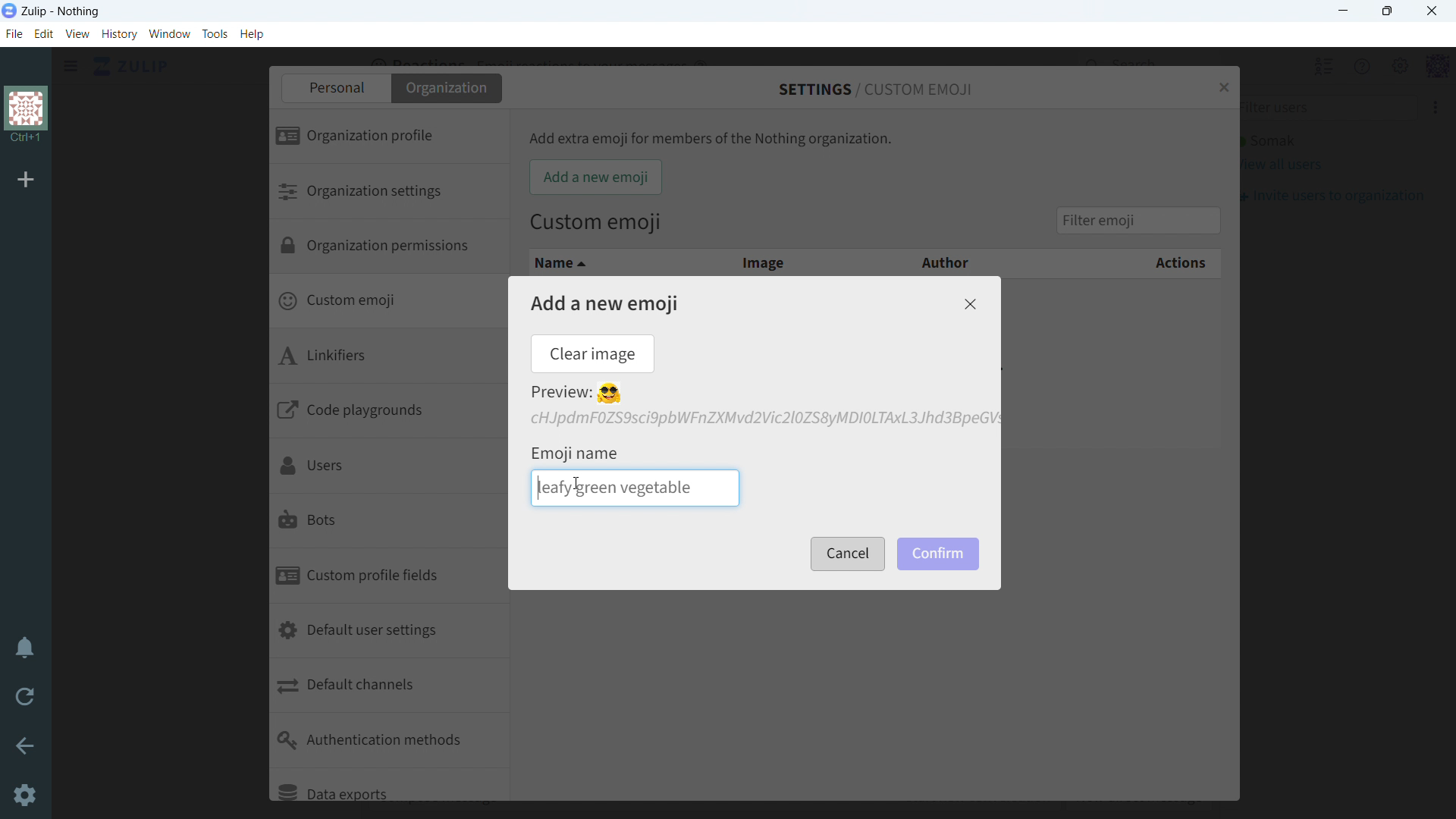  What do you see at coordinates (1383, 65) in the screenshot?
I see `main menu` at bounding box center [1383, 65].